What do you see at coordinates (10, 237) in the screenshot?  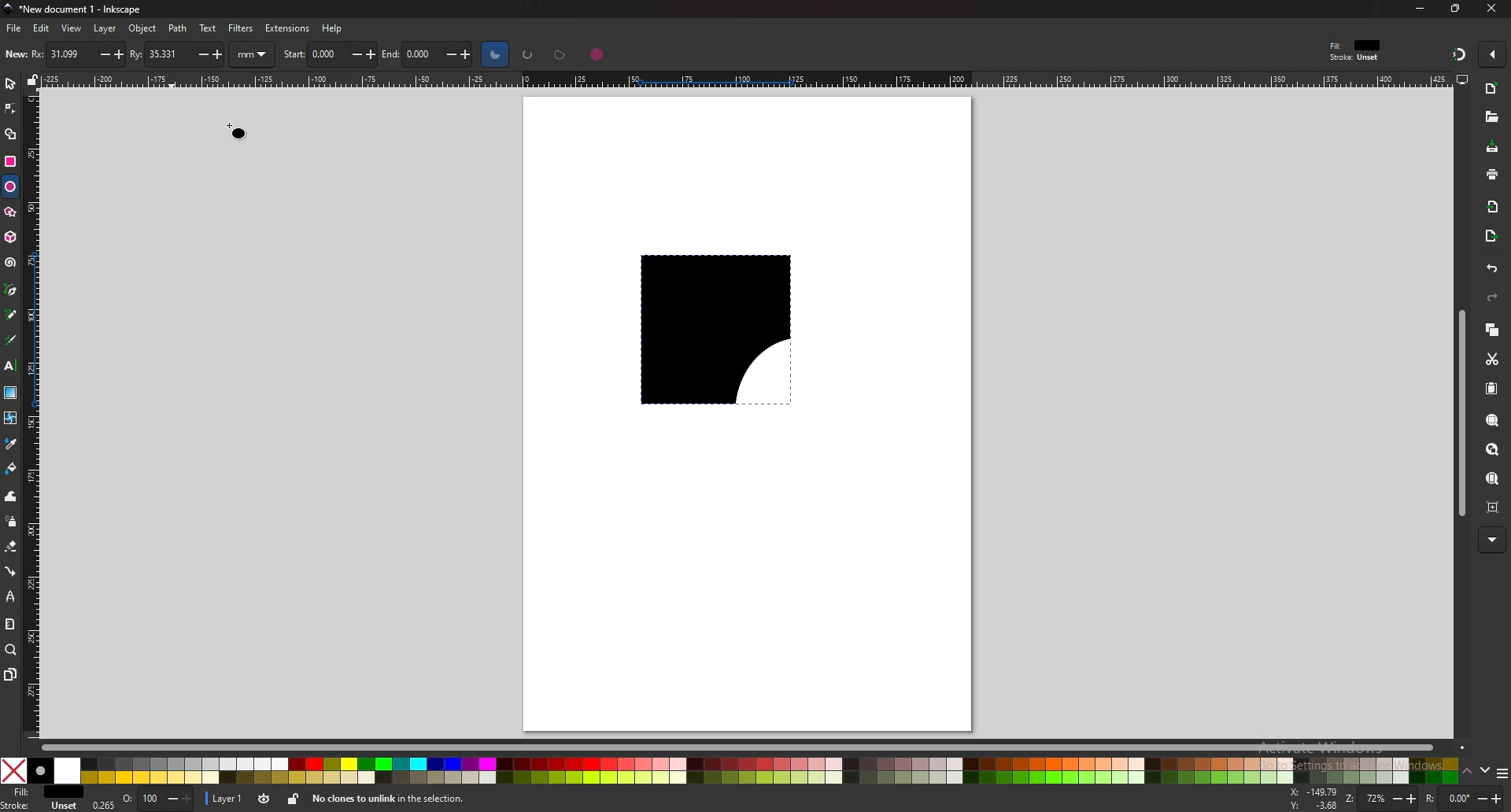 I see `3d box` at bounding box center [10, 237].